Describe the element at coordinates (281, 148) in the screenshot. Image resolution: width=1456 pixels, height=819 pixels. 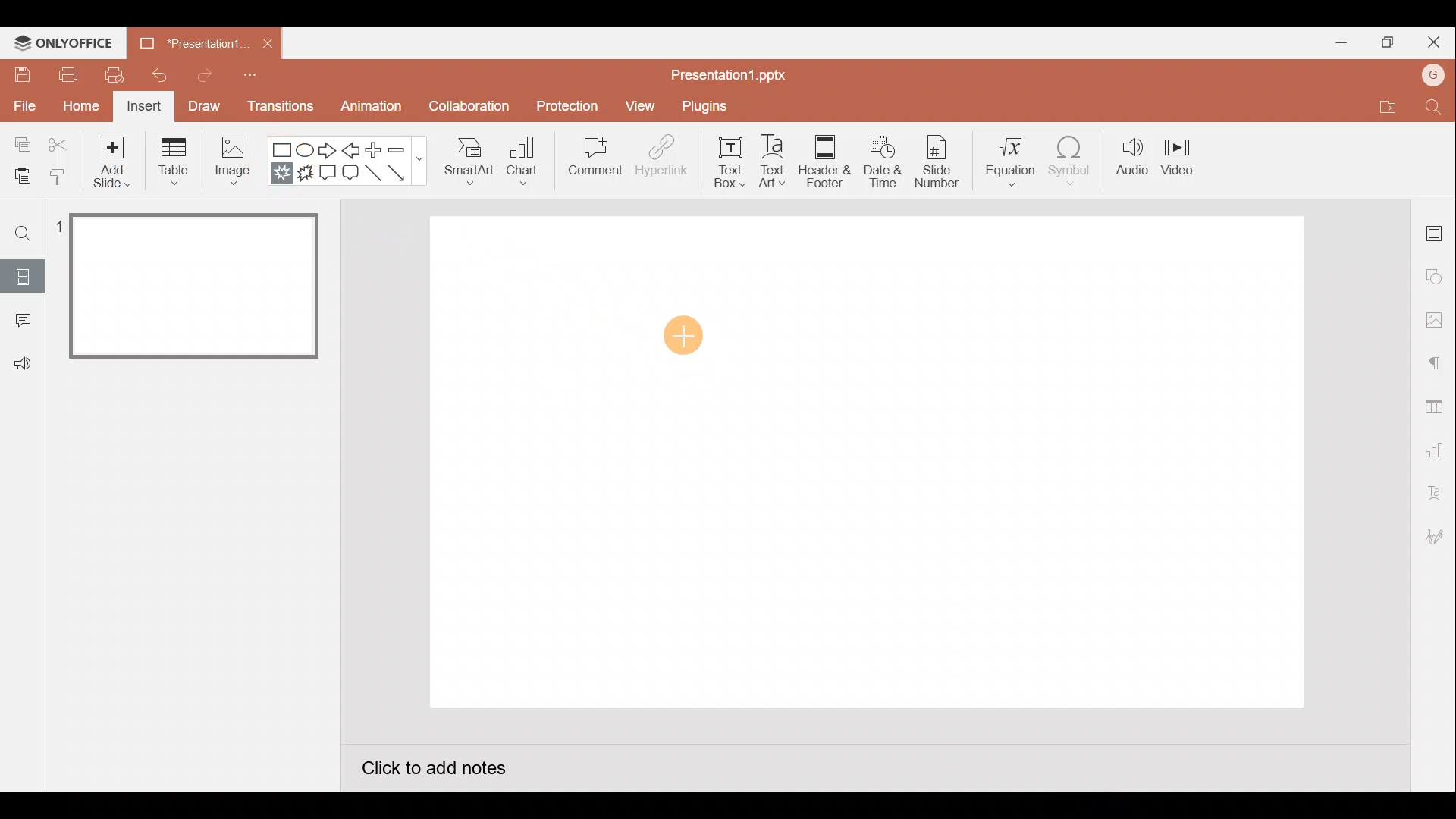
I see `Rectangle` at that location.